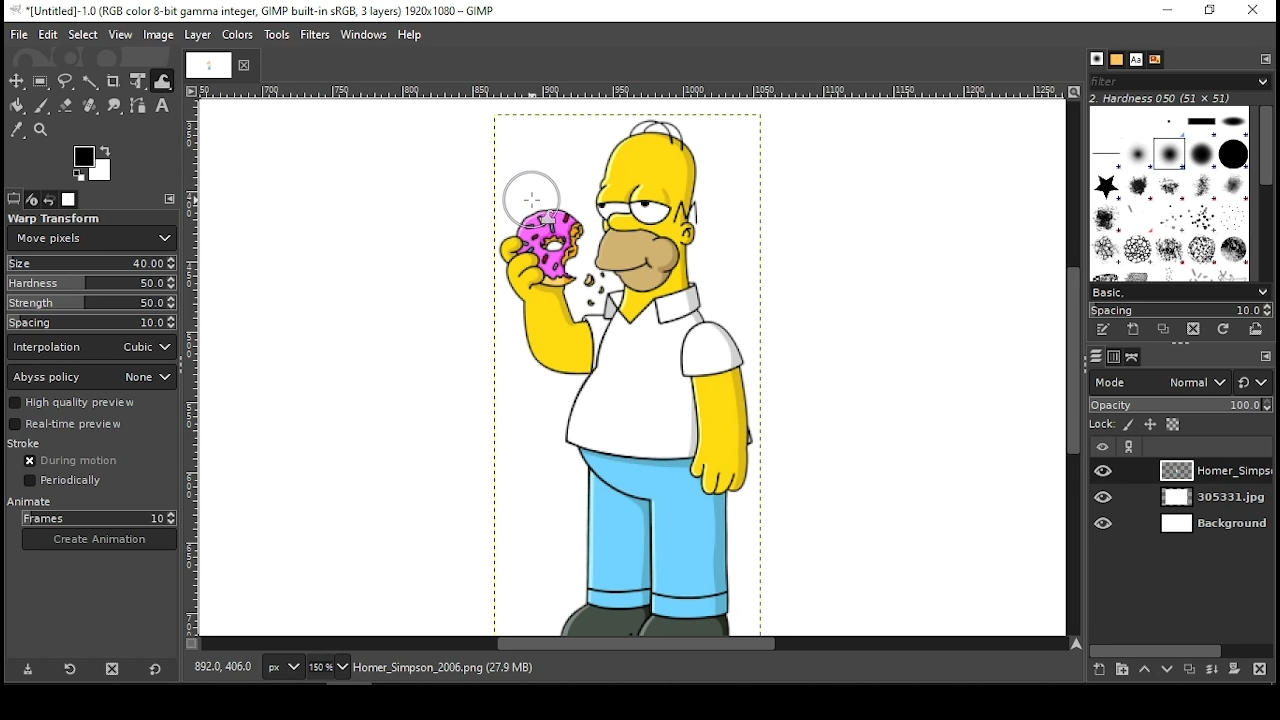 The image size is (1280, 720). What do you see at coordinates (1172, 424) in the screenshot?
I see `lock alpha channel` at bounding box center [1172, 424].